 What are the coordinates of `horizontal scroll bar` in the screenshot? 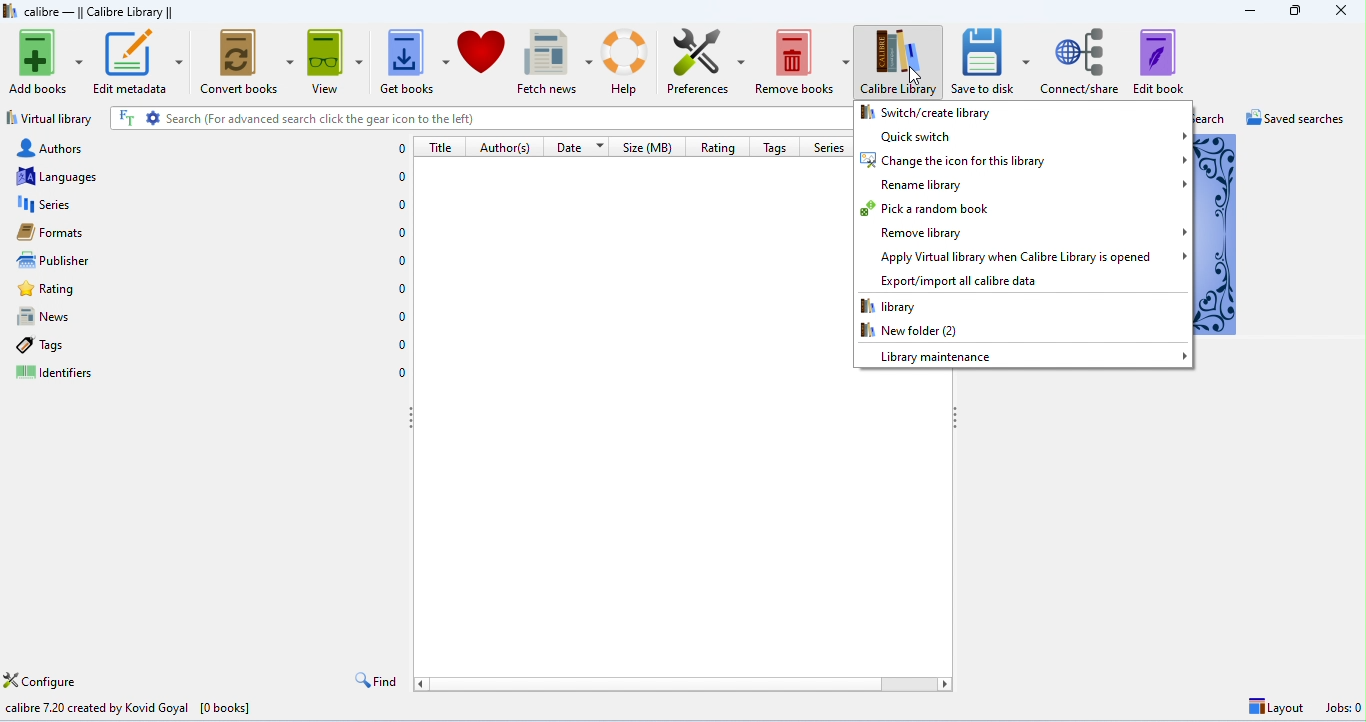 It's located at (682, 684).